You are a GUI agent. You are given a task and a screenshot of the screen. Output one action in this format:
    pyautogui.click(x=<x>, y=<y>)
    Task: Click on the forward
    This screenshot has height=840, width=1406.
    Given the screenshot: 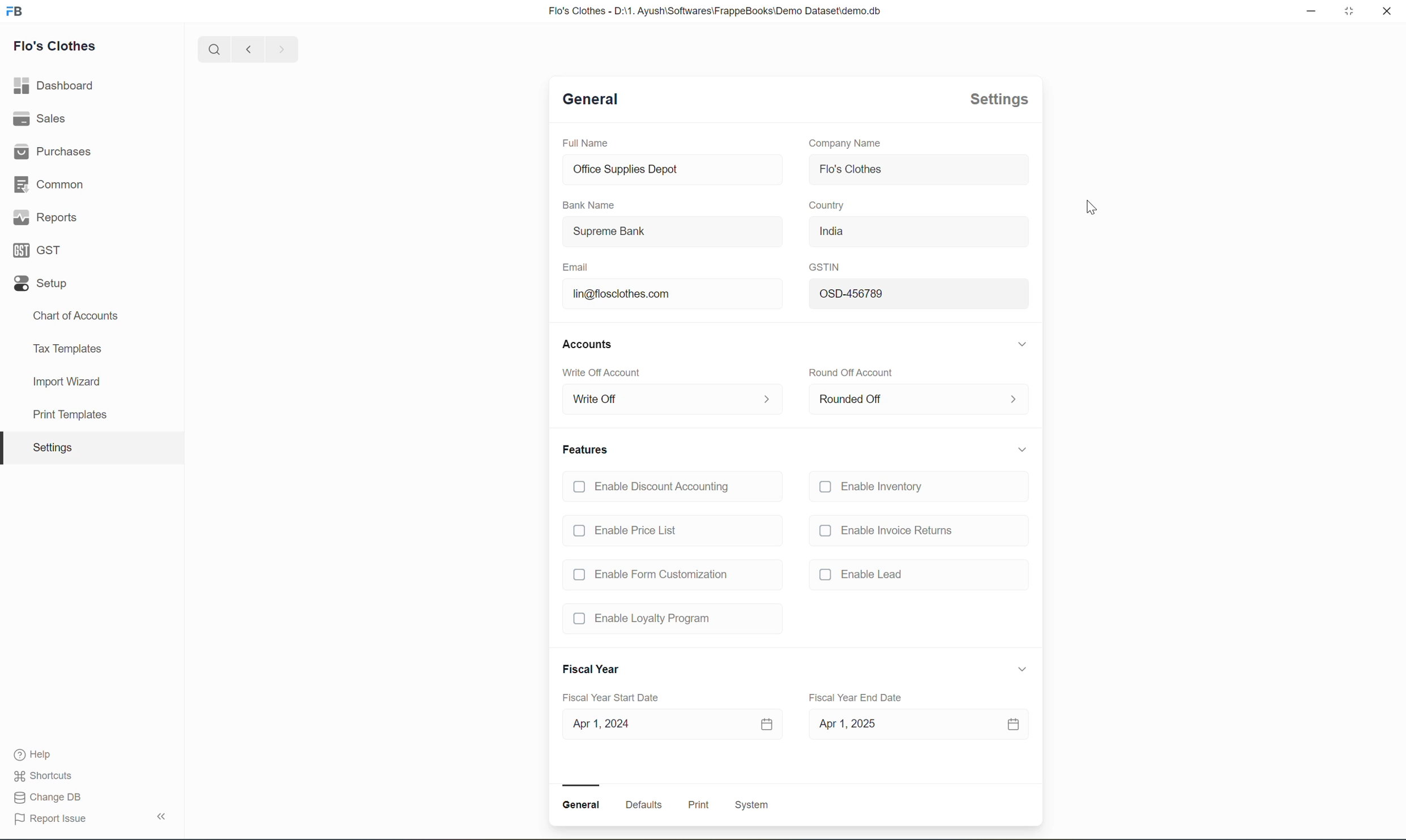 What is the action you would take?
    pyautogui.click(x=283, y=49)
    